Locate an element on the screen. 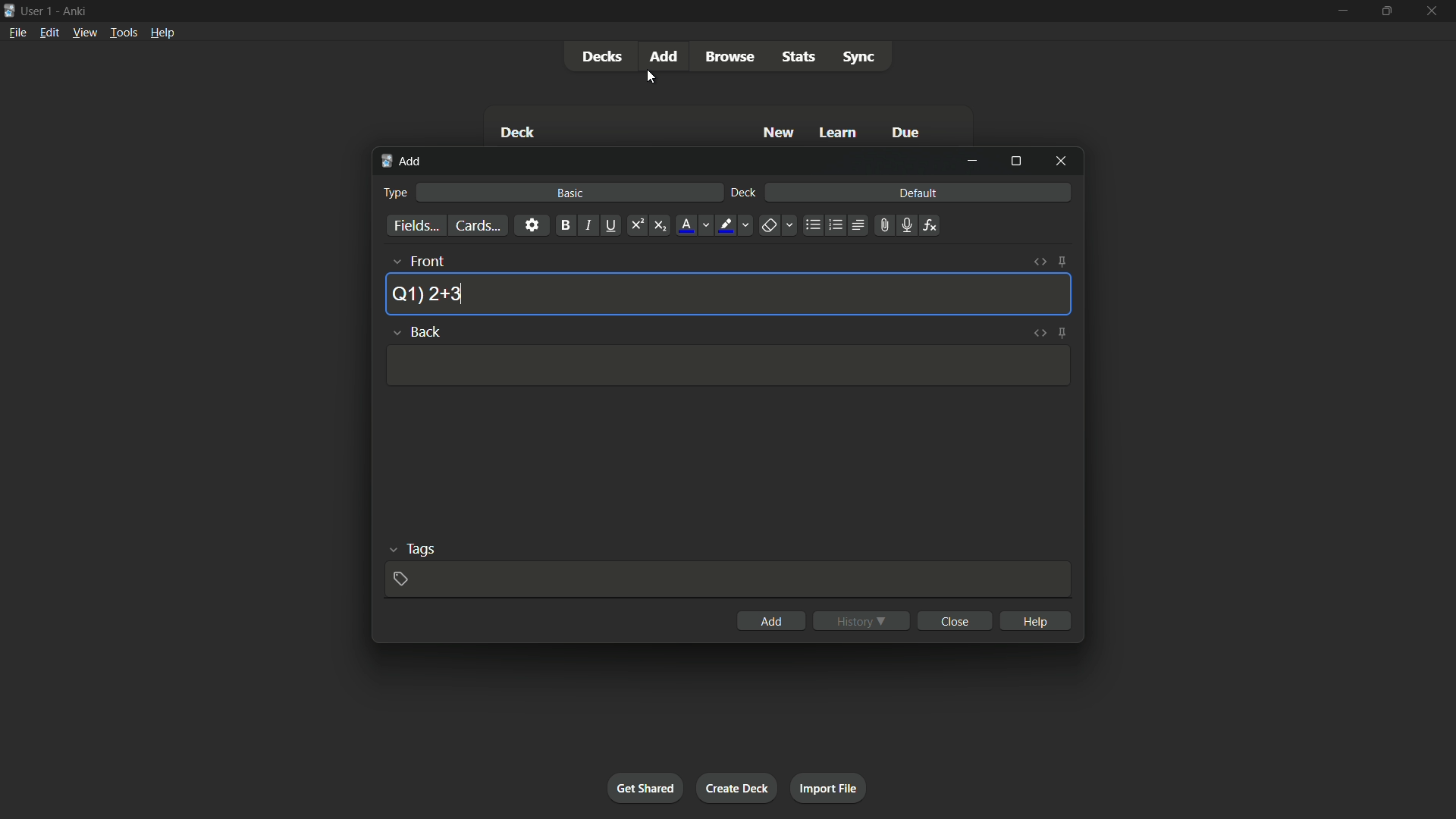  file menu is located at coordinates (19, 32).